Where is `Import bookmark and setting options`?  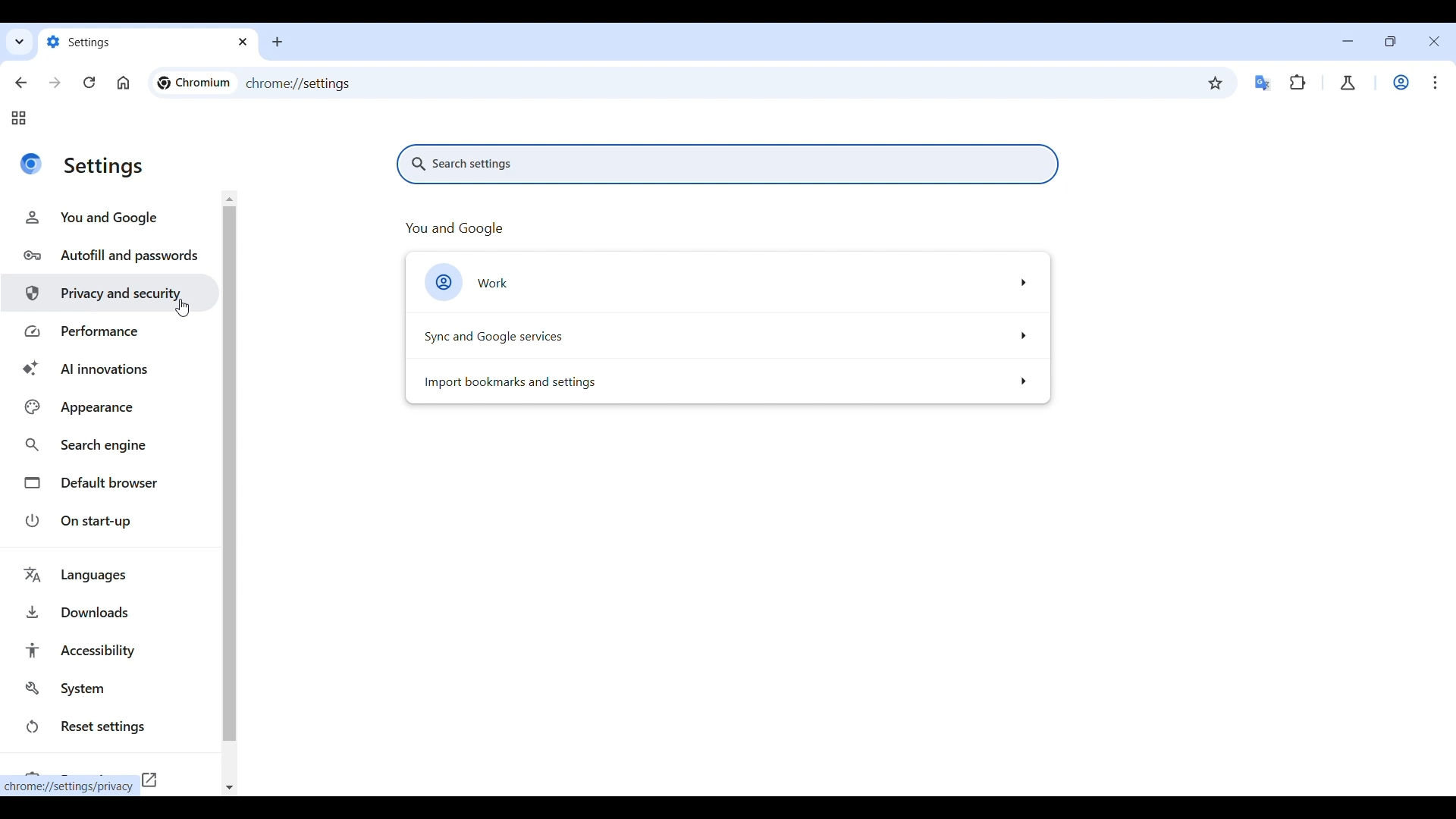
Import bookmark and setting options is located at coordinates (726, 383).